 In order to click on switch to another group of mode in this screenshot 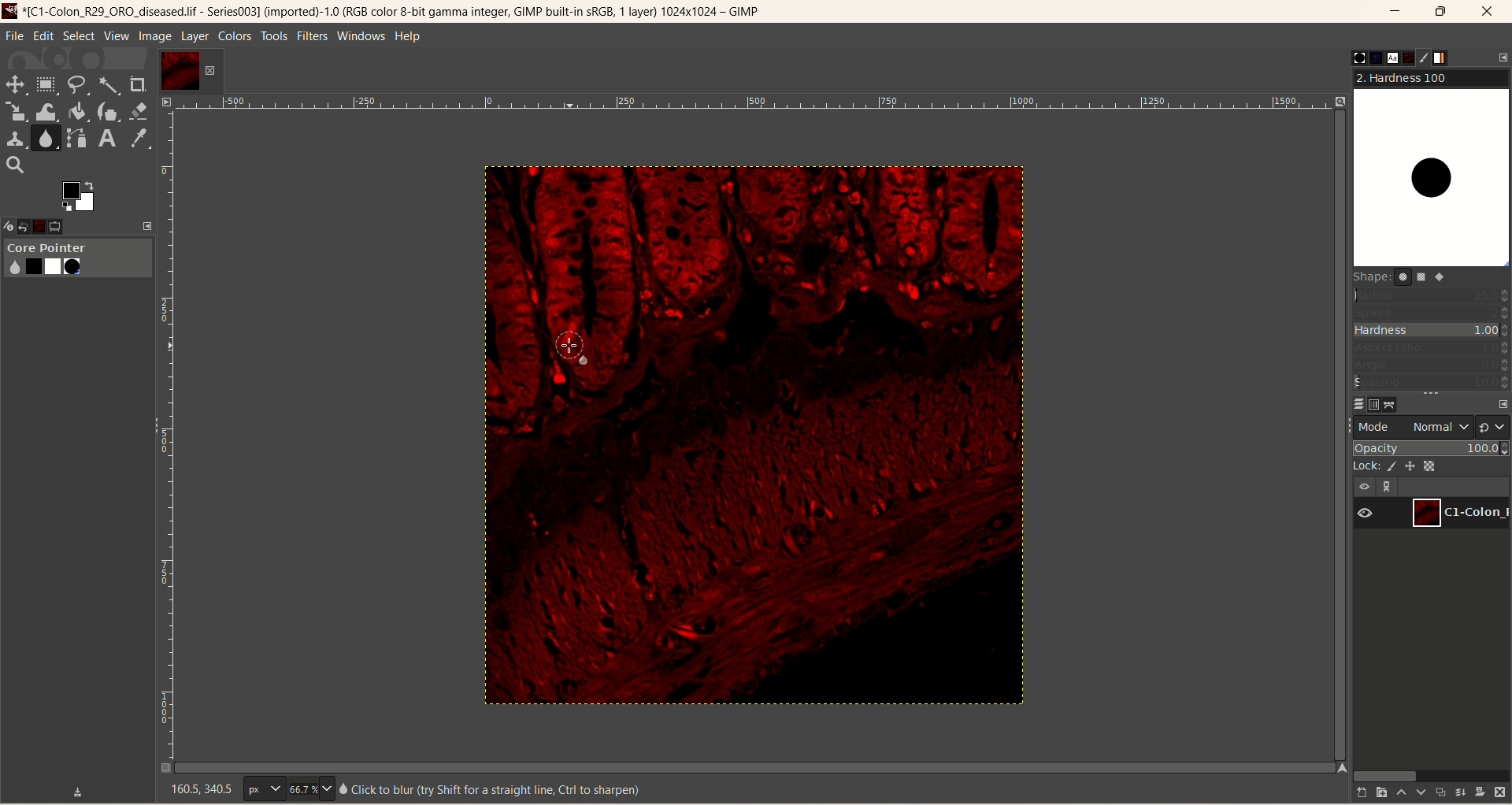, I will do `click(1494, 426)`.